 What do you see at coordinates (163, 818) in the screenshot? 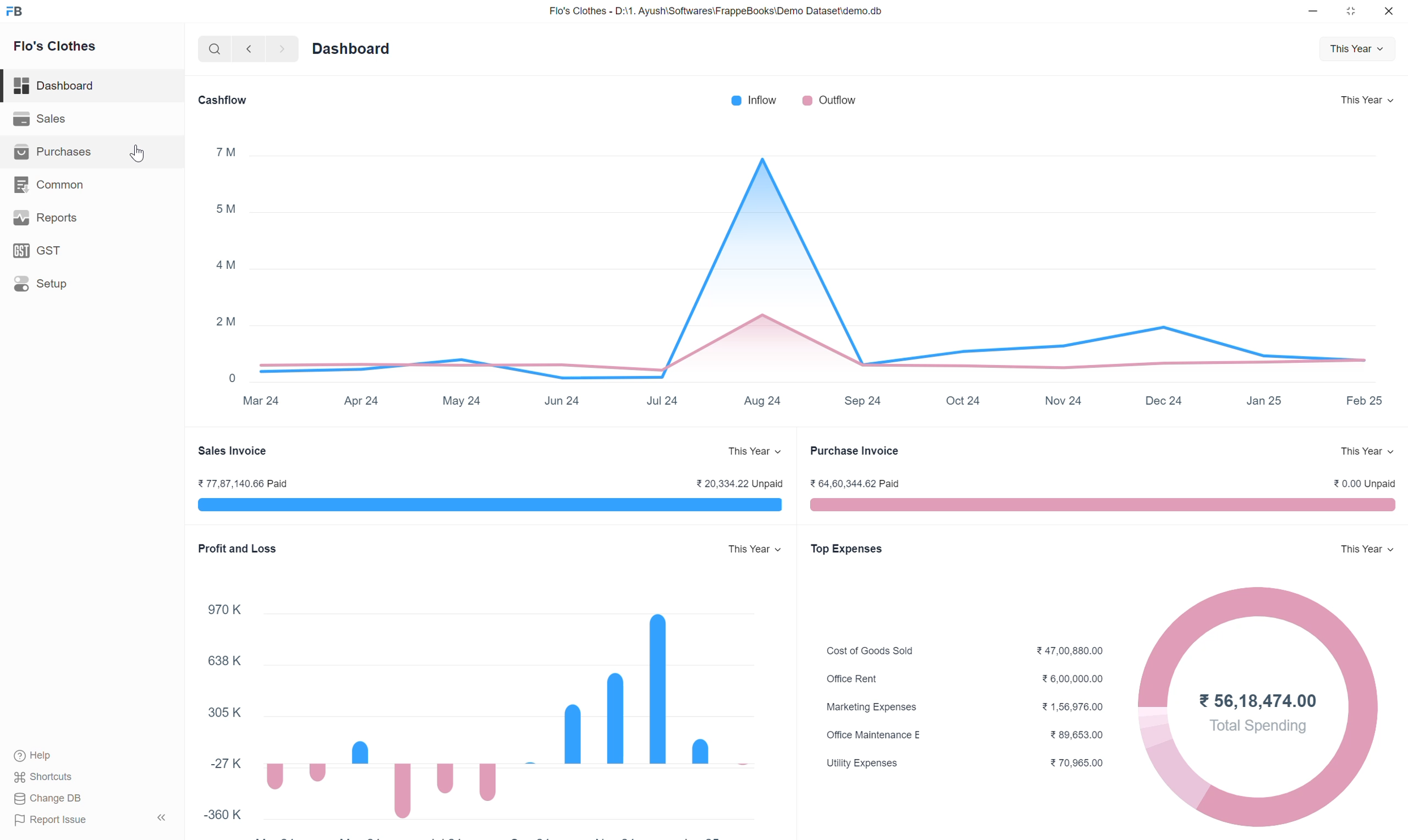
I see `<<` at bounding box center [163, 818].